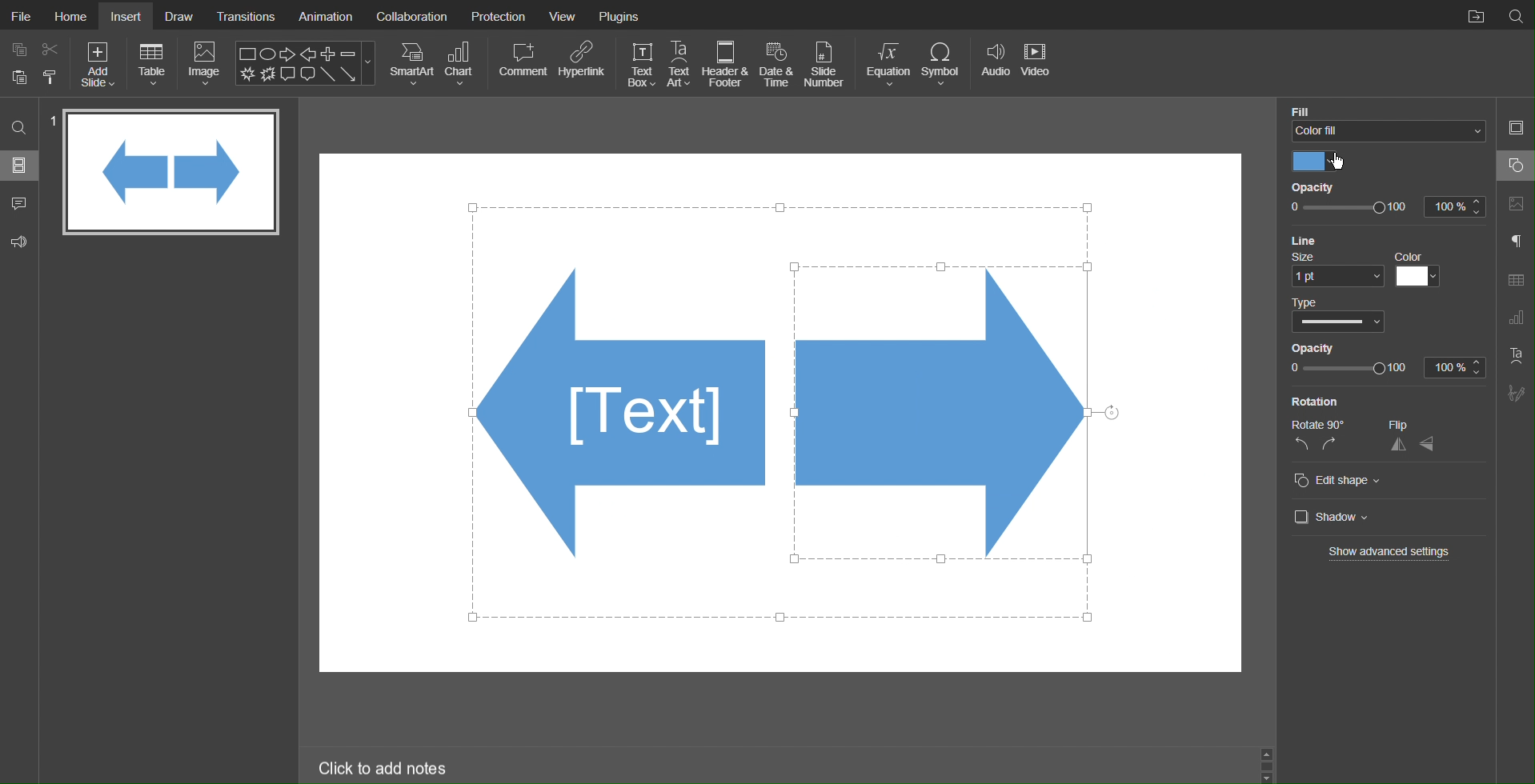 The image size is (1535, 784). I want to click on 100% opacity, so click(1384, 369).